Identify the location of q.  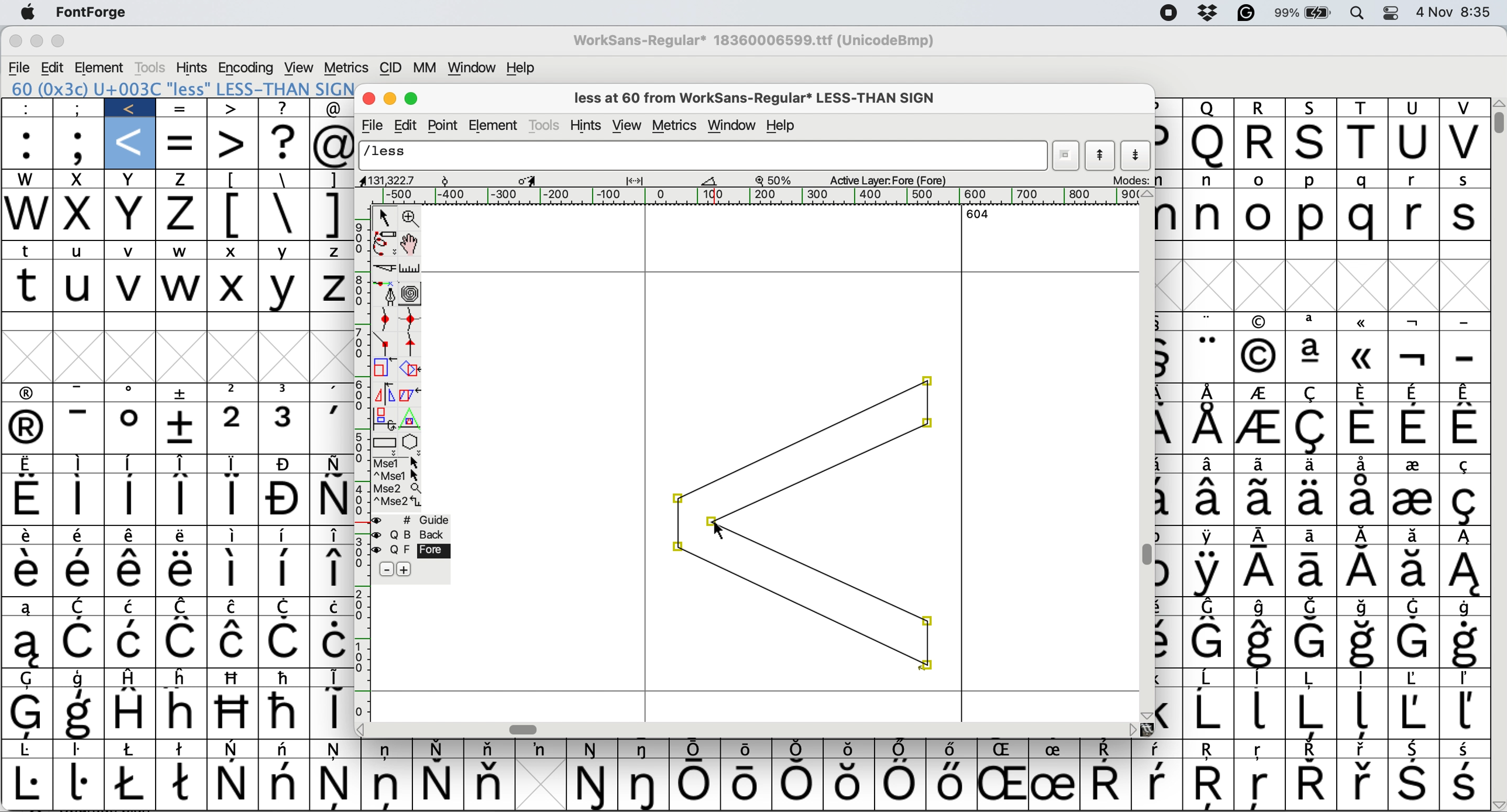
(1363, 215).